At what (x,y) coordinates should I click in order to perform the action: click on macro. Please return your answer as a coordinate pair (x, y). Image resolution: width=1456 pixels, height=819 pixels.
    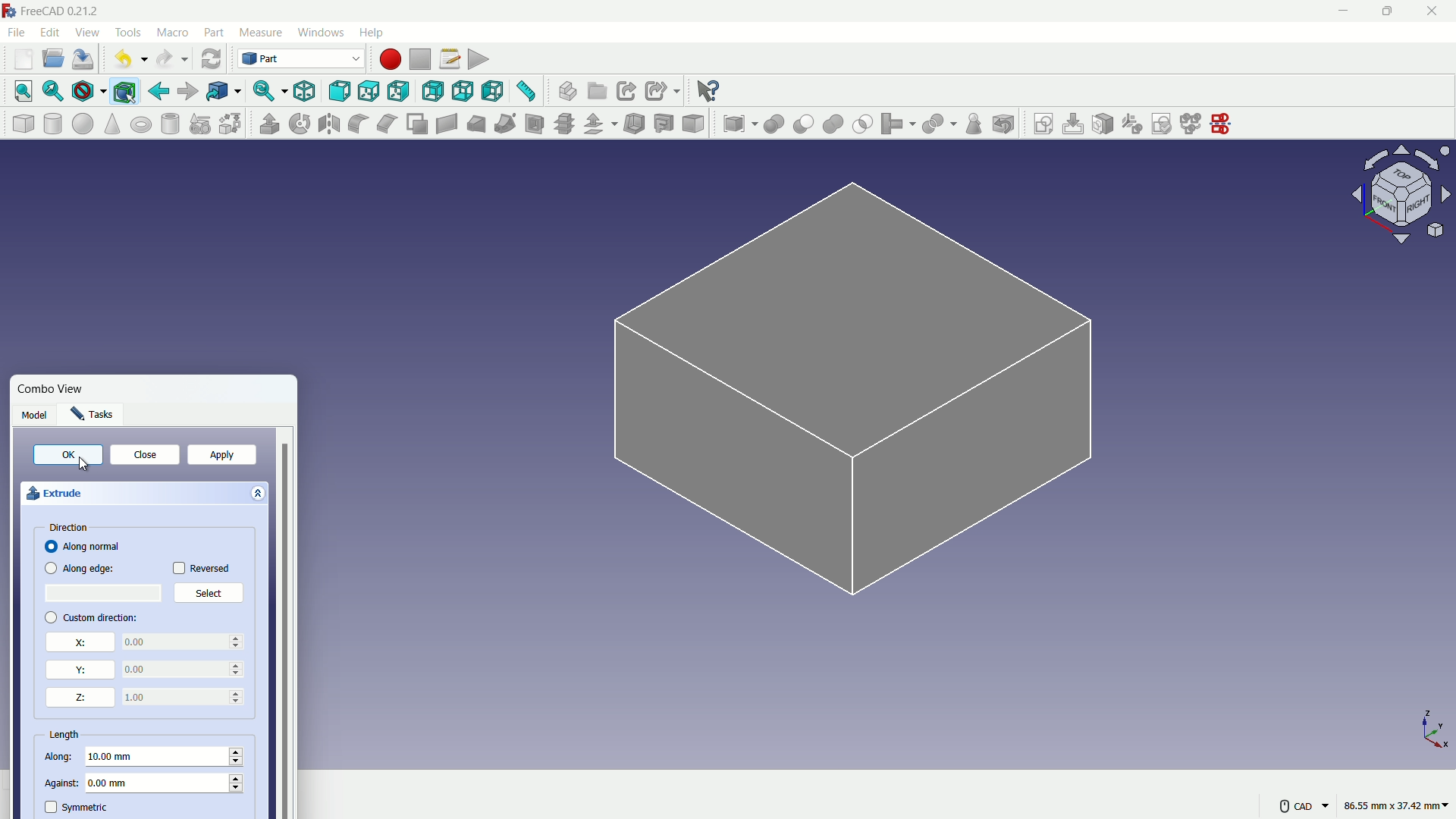
    Looking at the image, I should click on (173, 33).